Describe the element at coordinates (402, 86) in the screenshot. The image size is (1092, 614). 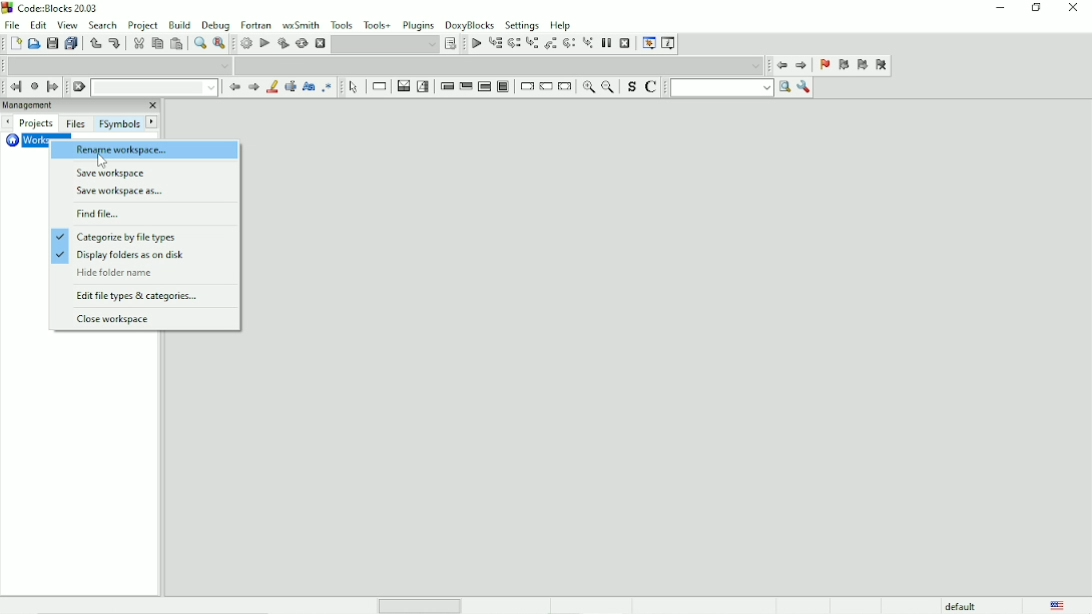
I see `Decision` at that location.